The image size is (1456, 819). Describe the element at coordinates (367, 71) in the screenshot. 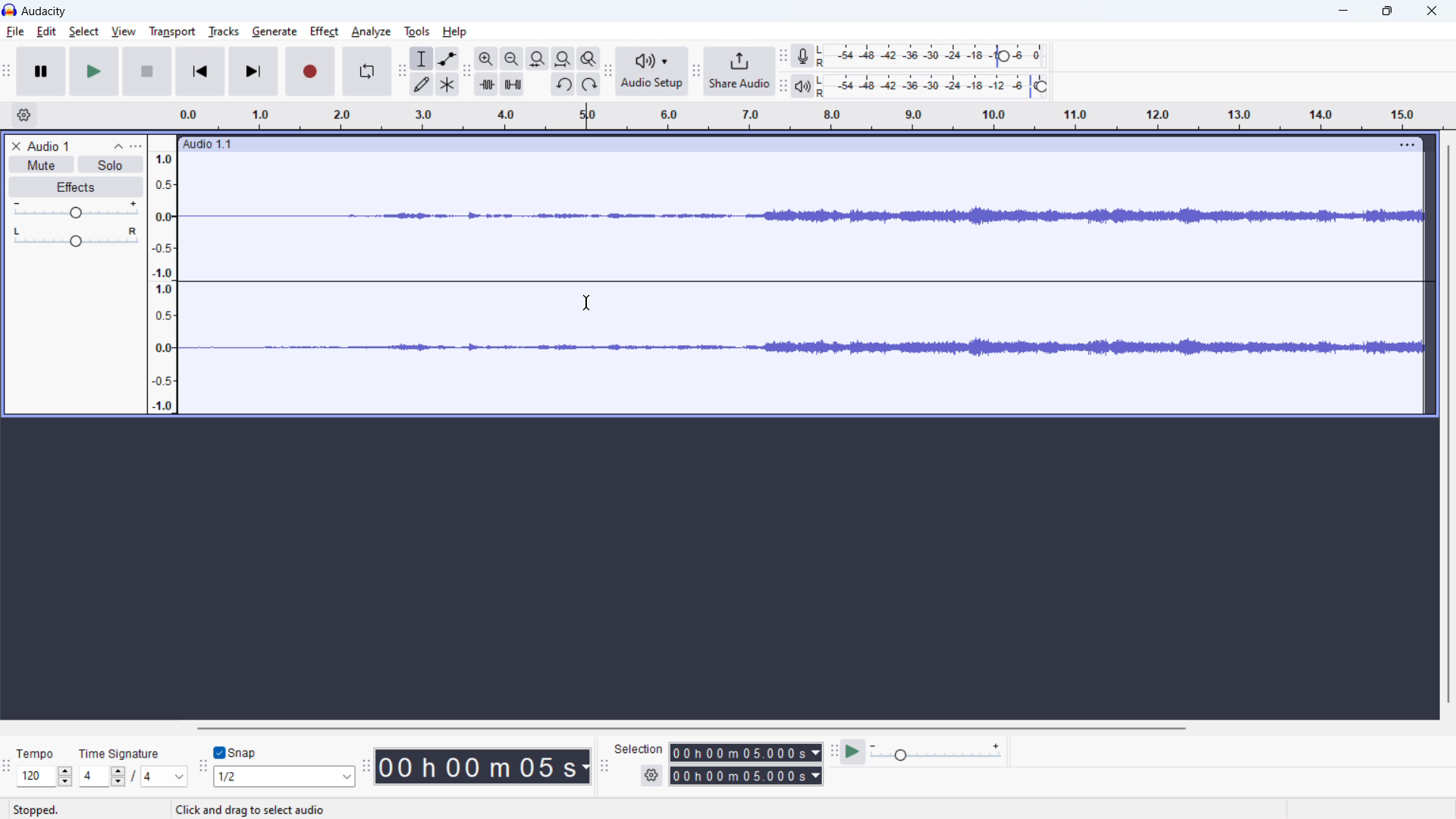

I see `enable looping` at that location.